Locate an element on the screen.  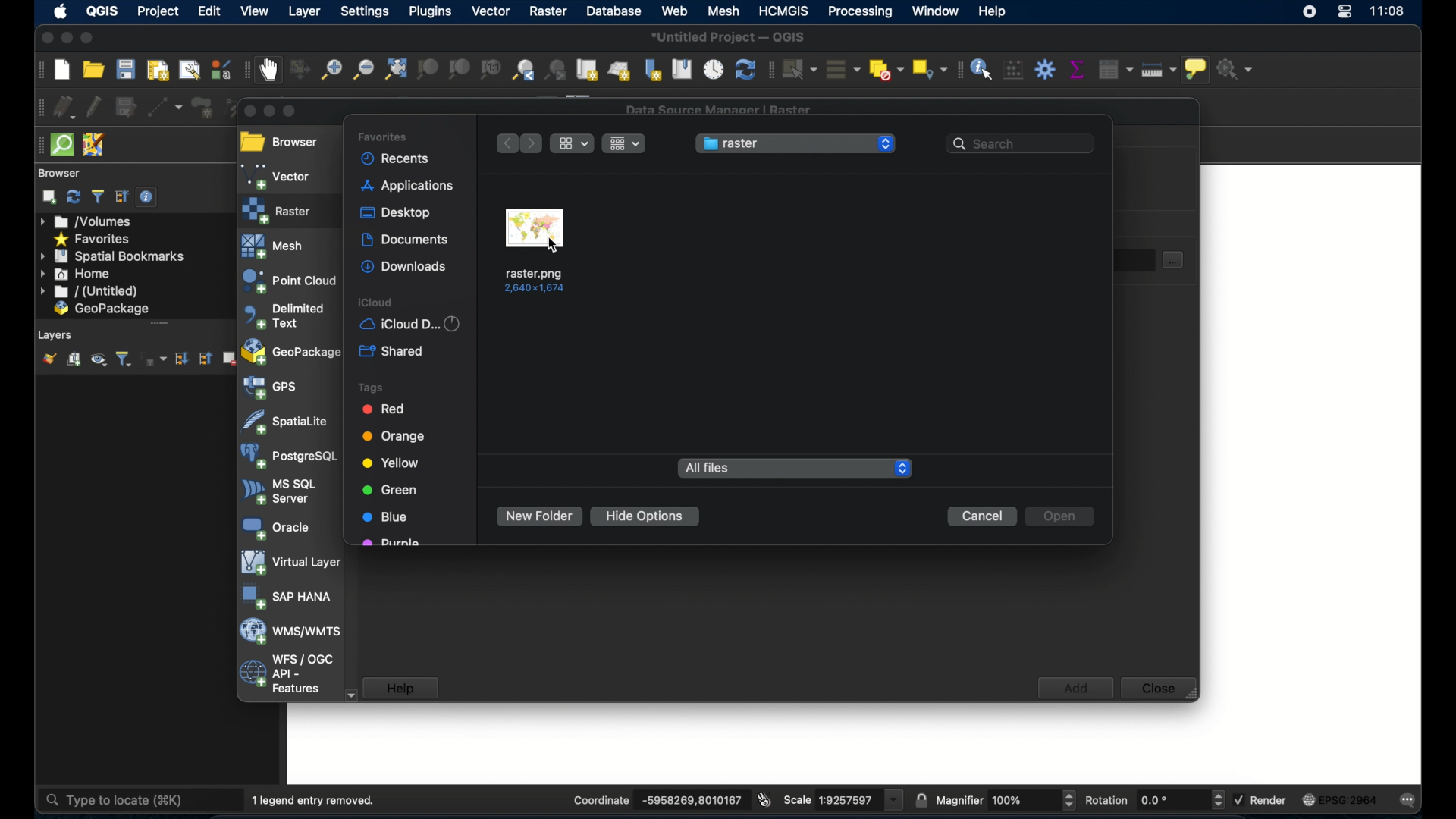
screen recorder is located at coordinates (1311, 14).